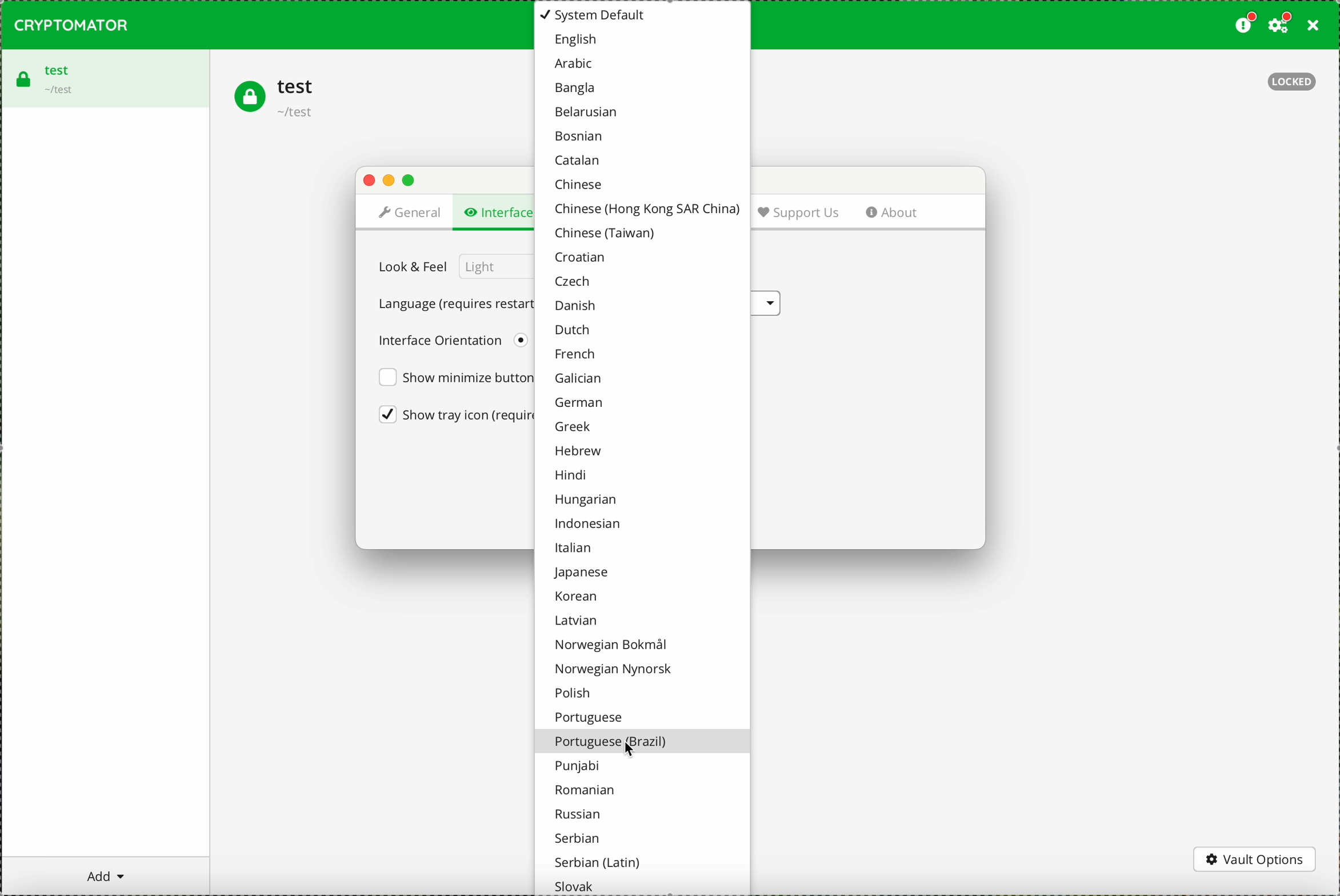  Describe the element at coordinates (455, 414) in the screenshot. I see `show try icon` at that location.